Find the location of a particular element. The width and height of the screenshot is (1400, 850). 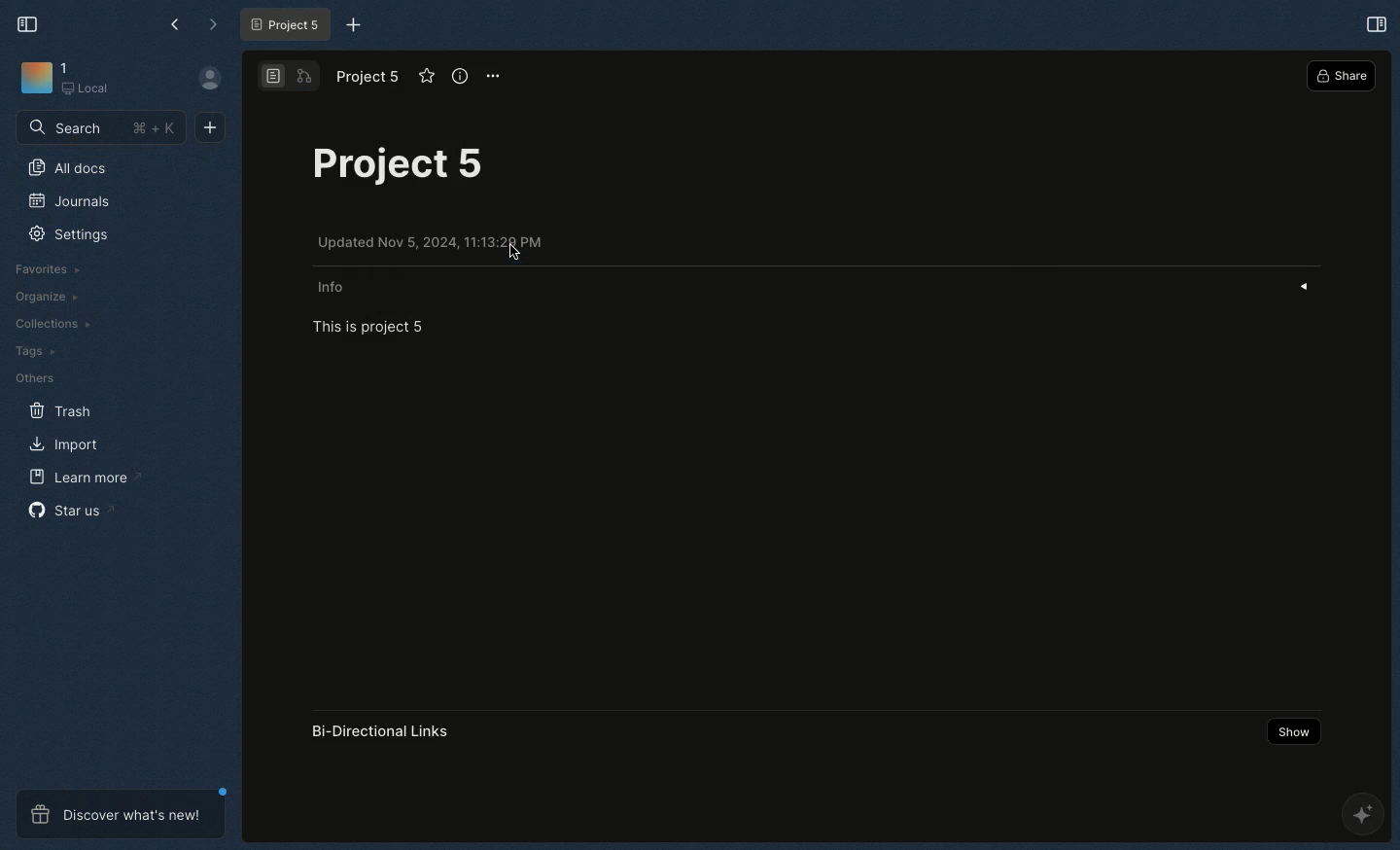

Back is located at coordinates (171, 26).